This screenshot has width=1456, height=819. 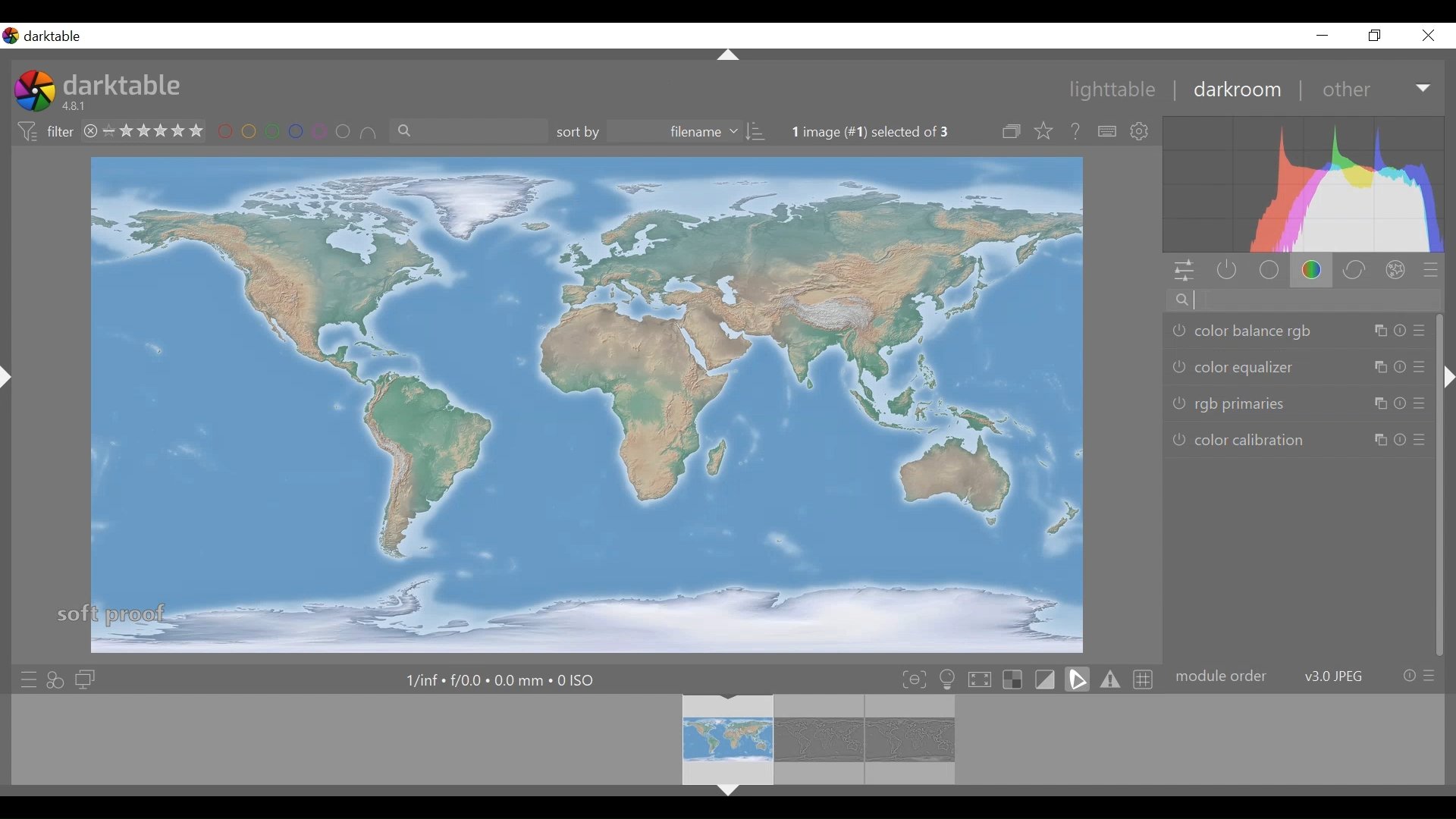 What do you see at coordinates (1355, 270) in the screenshot?
I see `correct` at bounding box center [1355, 270].